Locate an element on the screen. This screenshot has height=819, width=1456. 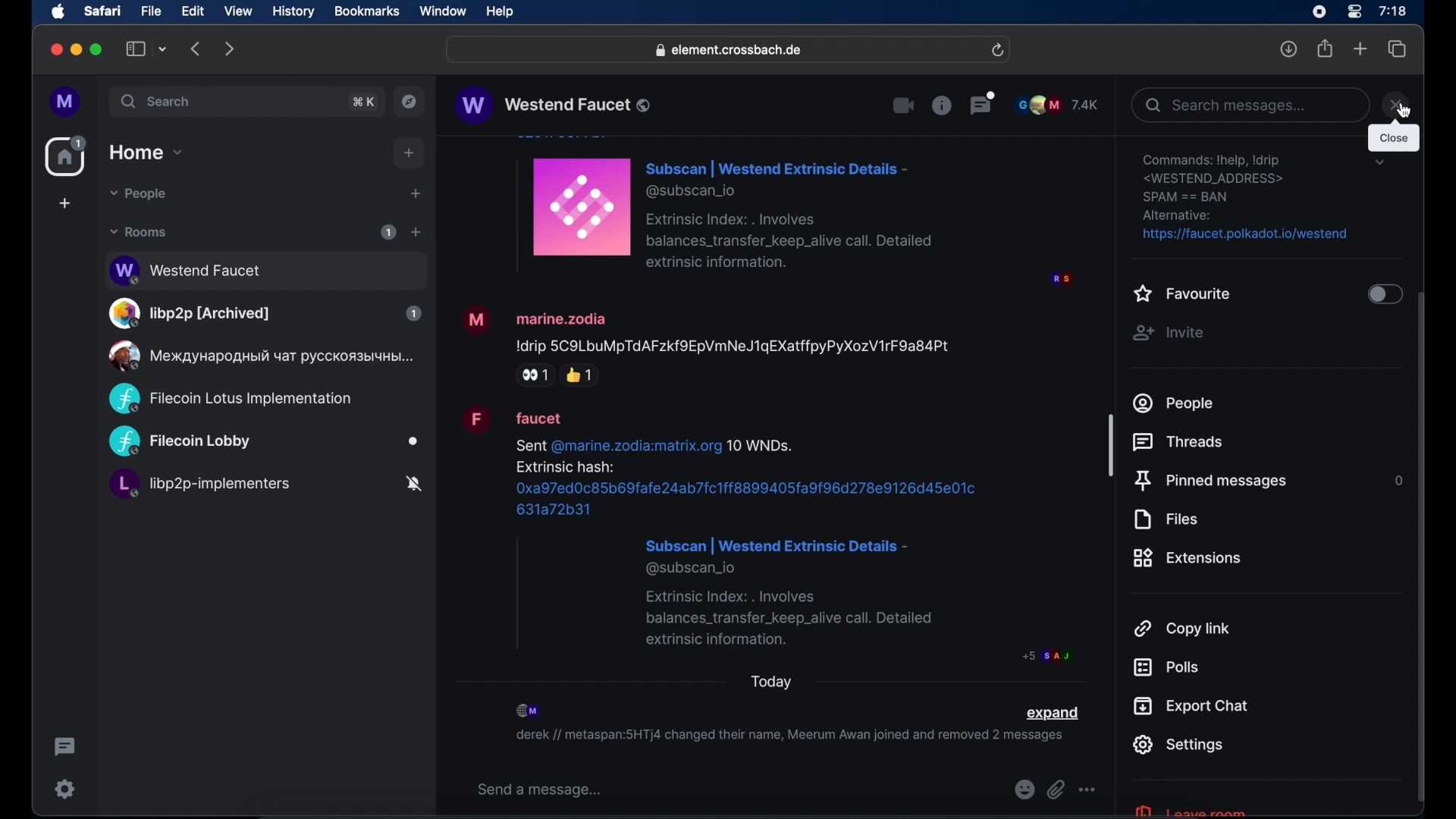
participants is located at coordinates (1057, 105).